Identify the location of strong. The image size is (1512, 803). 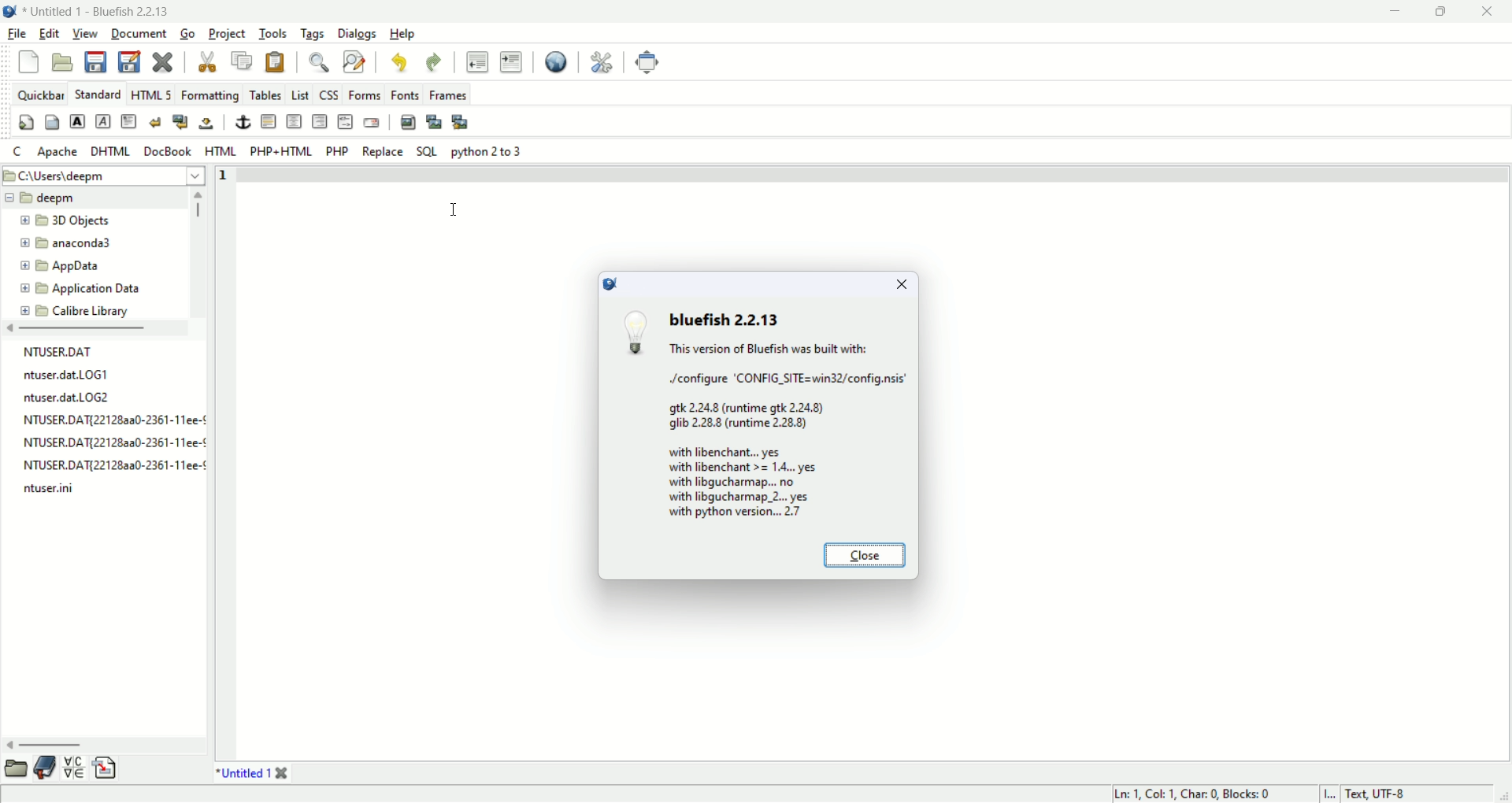
(77, 121).